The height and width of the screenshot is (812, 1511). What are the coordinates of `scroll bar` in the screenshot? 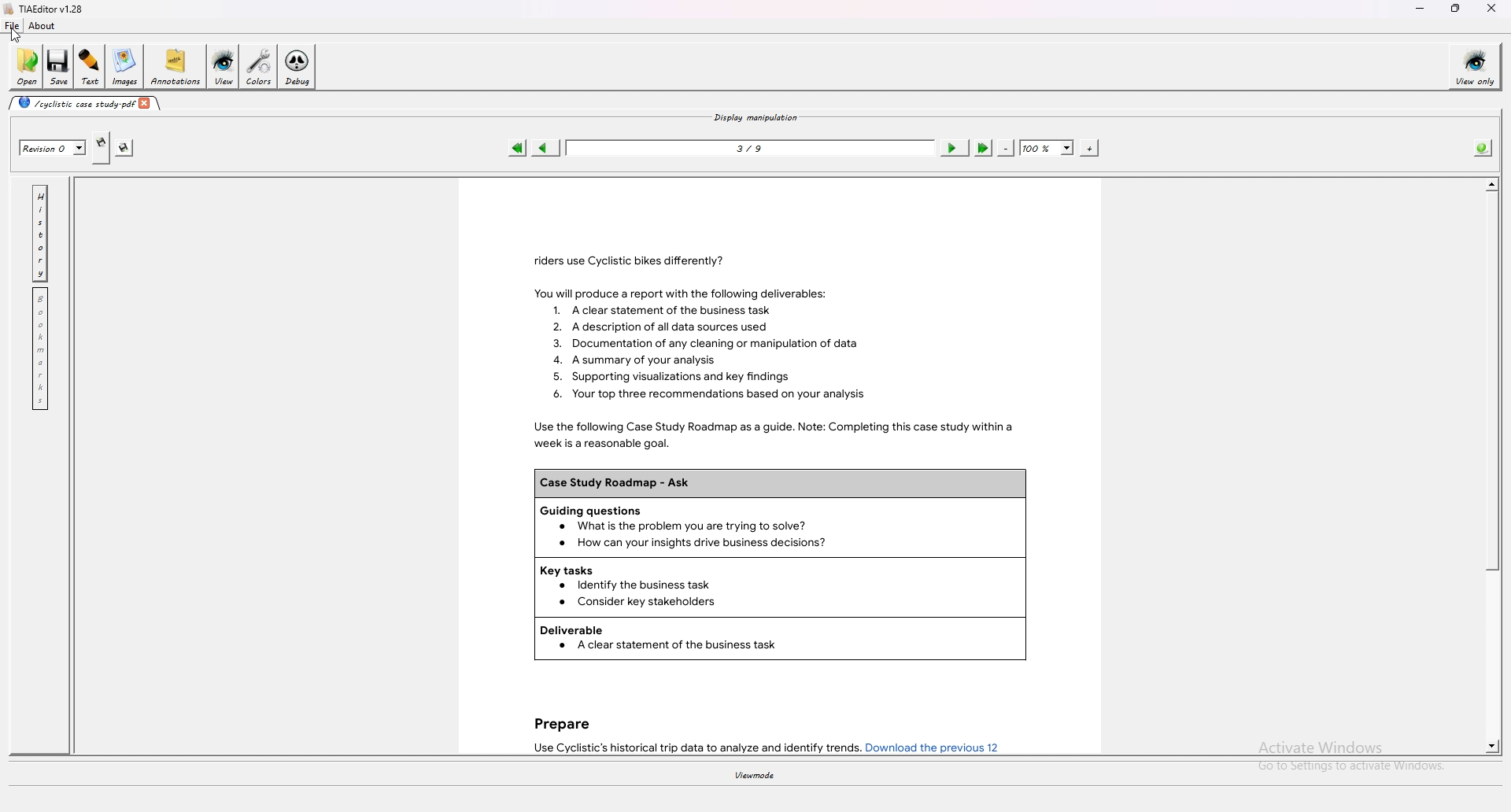 It's located at (1491, 382).